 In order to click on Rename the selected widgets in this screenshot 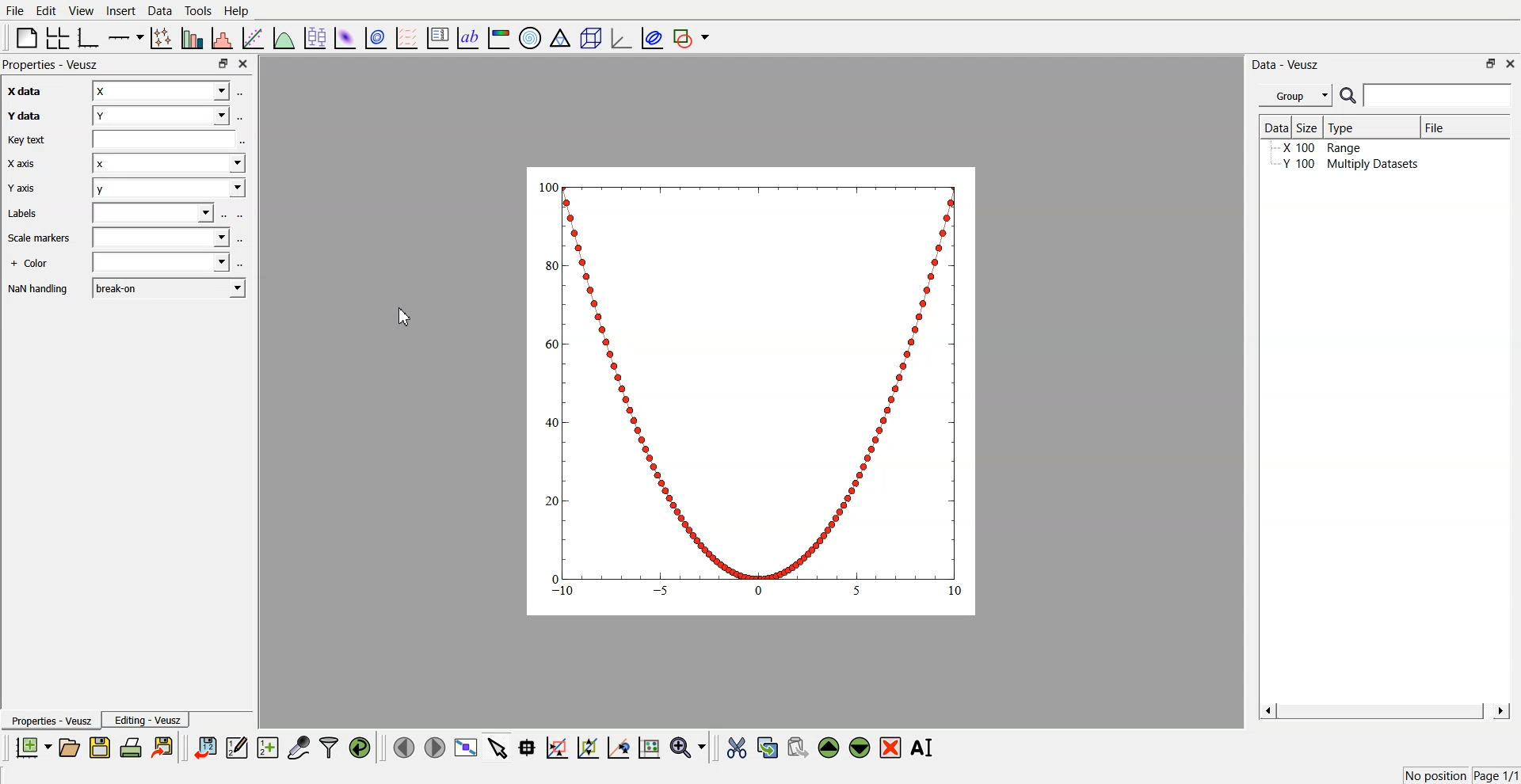, I will do `click(925, 748)`.